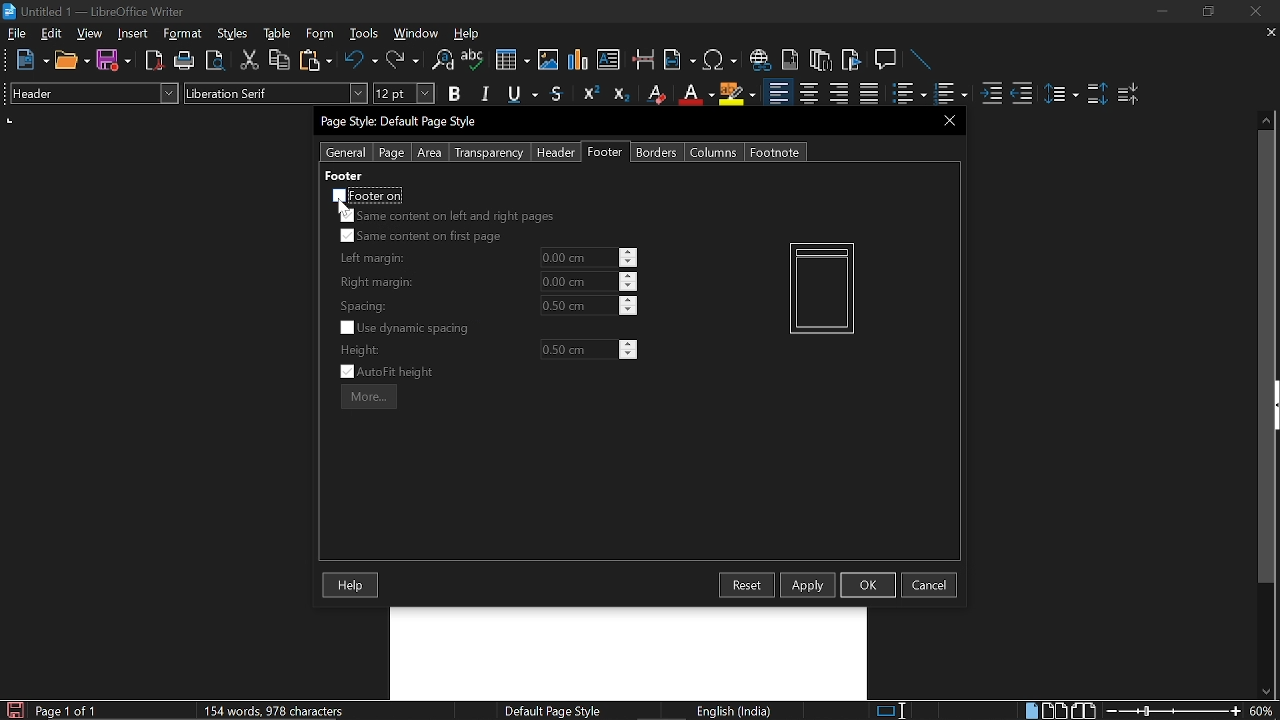  Describe the element at coordinates (473, 60) in the screenshot. I see `Spell check` at that location.